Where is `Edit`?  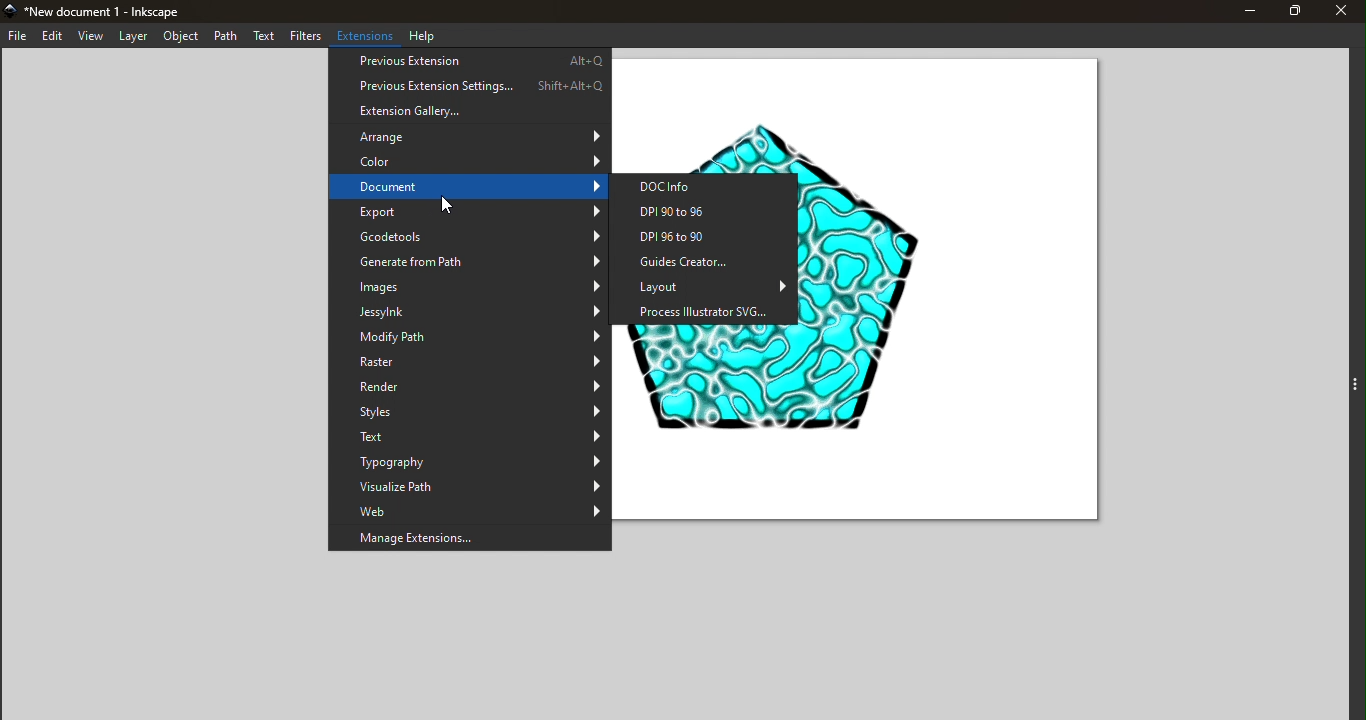
Edit is located at coordinates (53, 37).